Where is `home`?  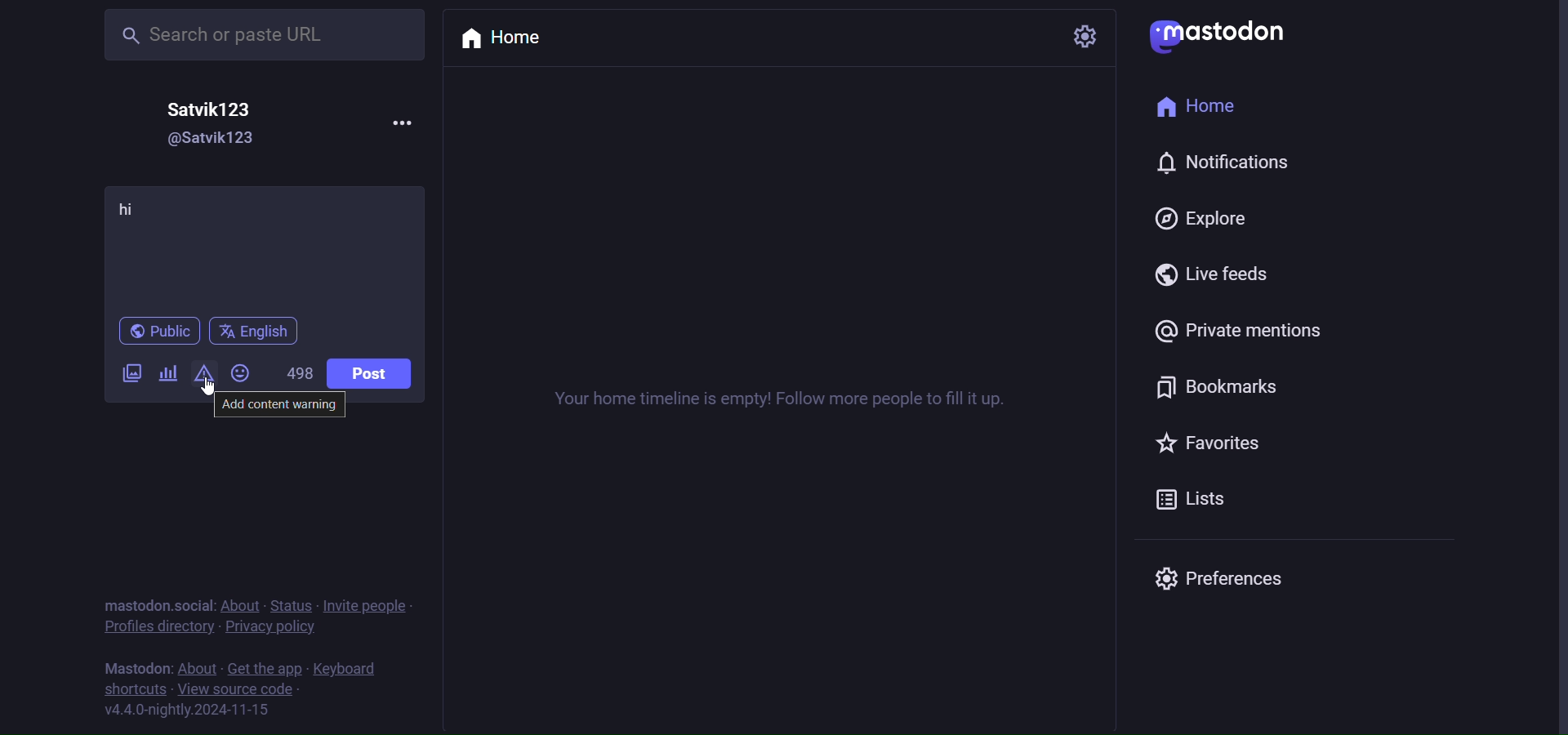
home is located at coordinates (1205, 110).